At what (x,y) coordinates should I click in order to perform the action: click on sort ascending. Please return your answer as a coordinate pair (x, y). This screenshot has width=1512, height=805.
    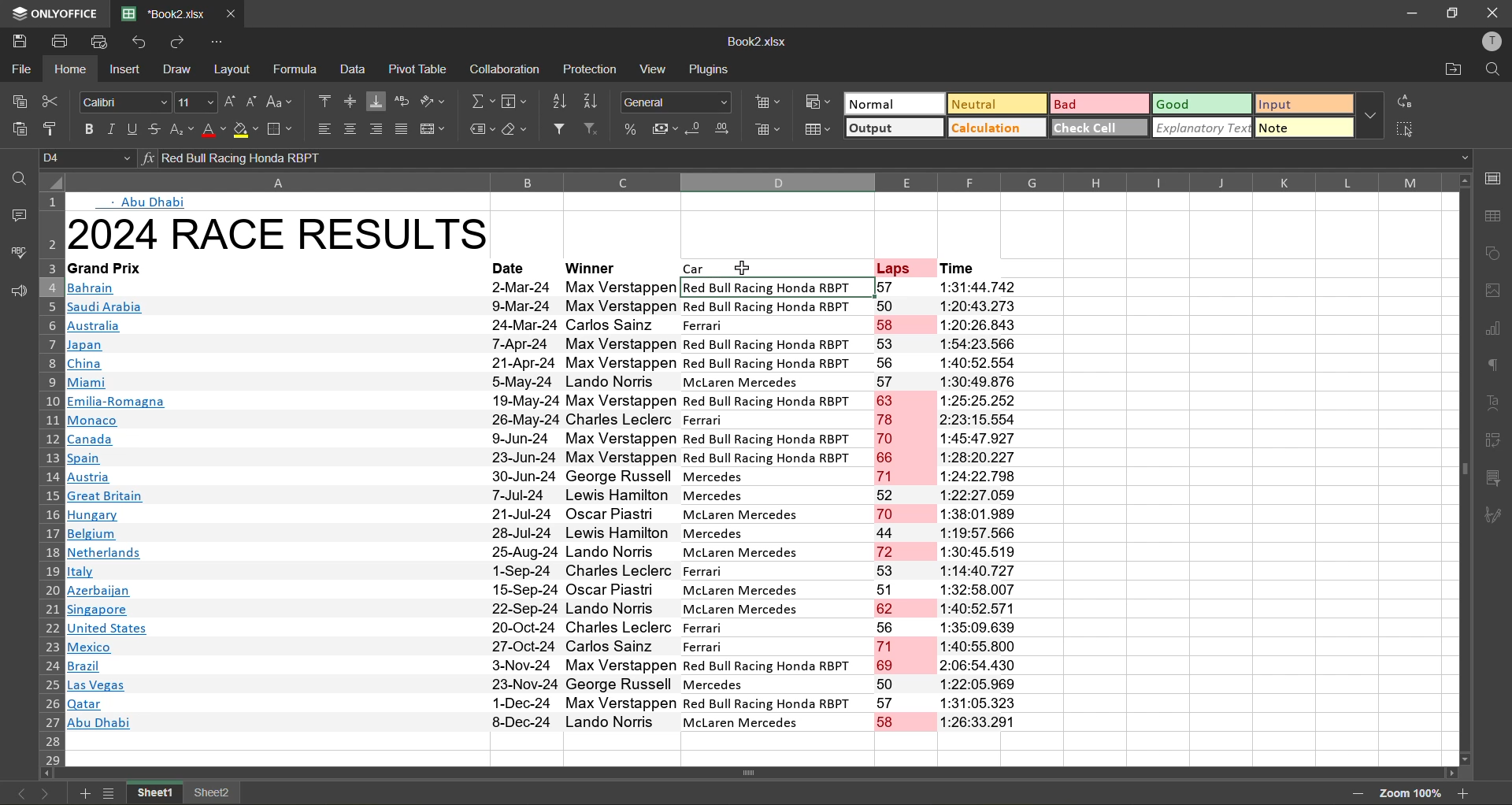
    Looking at the image, I should click on (561, 103).